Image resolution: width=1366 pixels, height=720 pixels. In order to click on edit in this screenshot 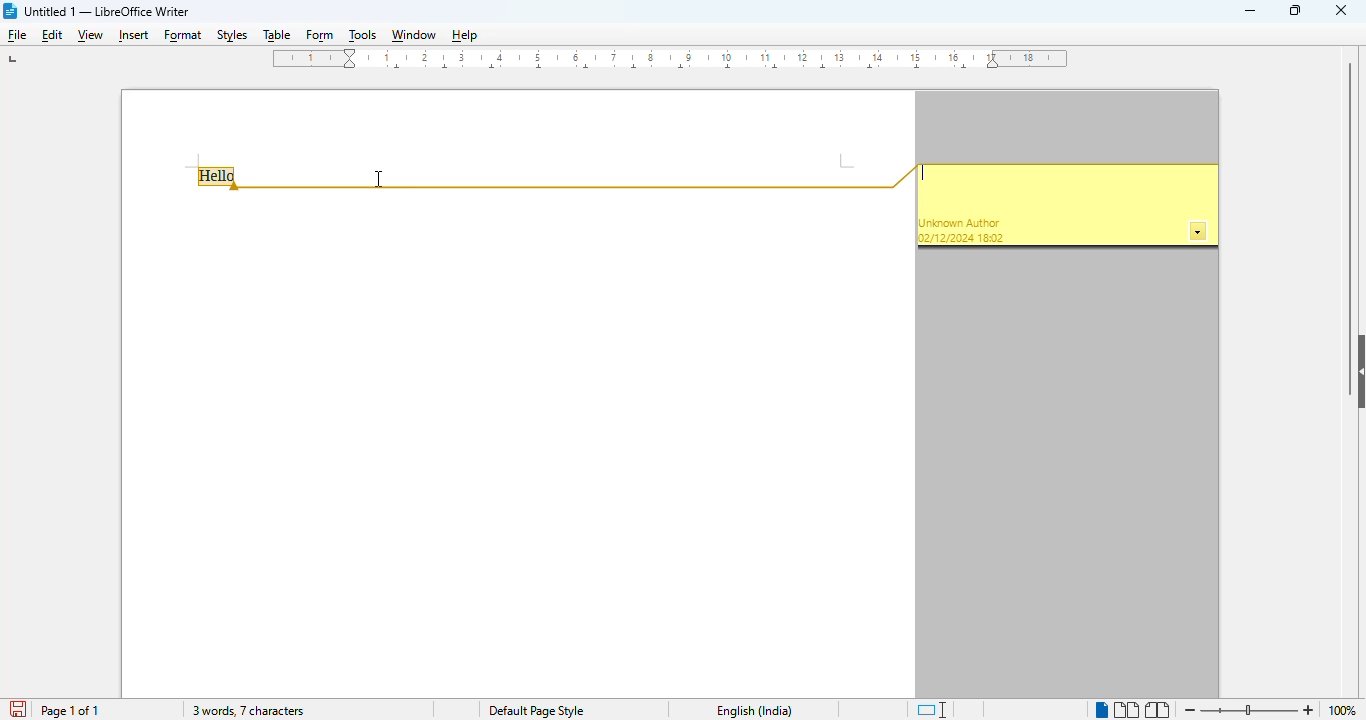, I will do `click(53, 35)`.